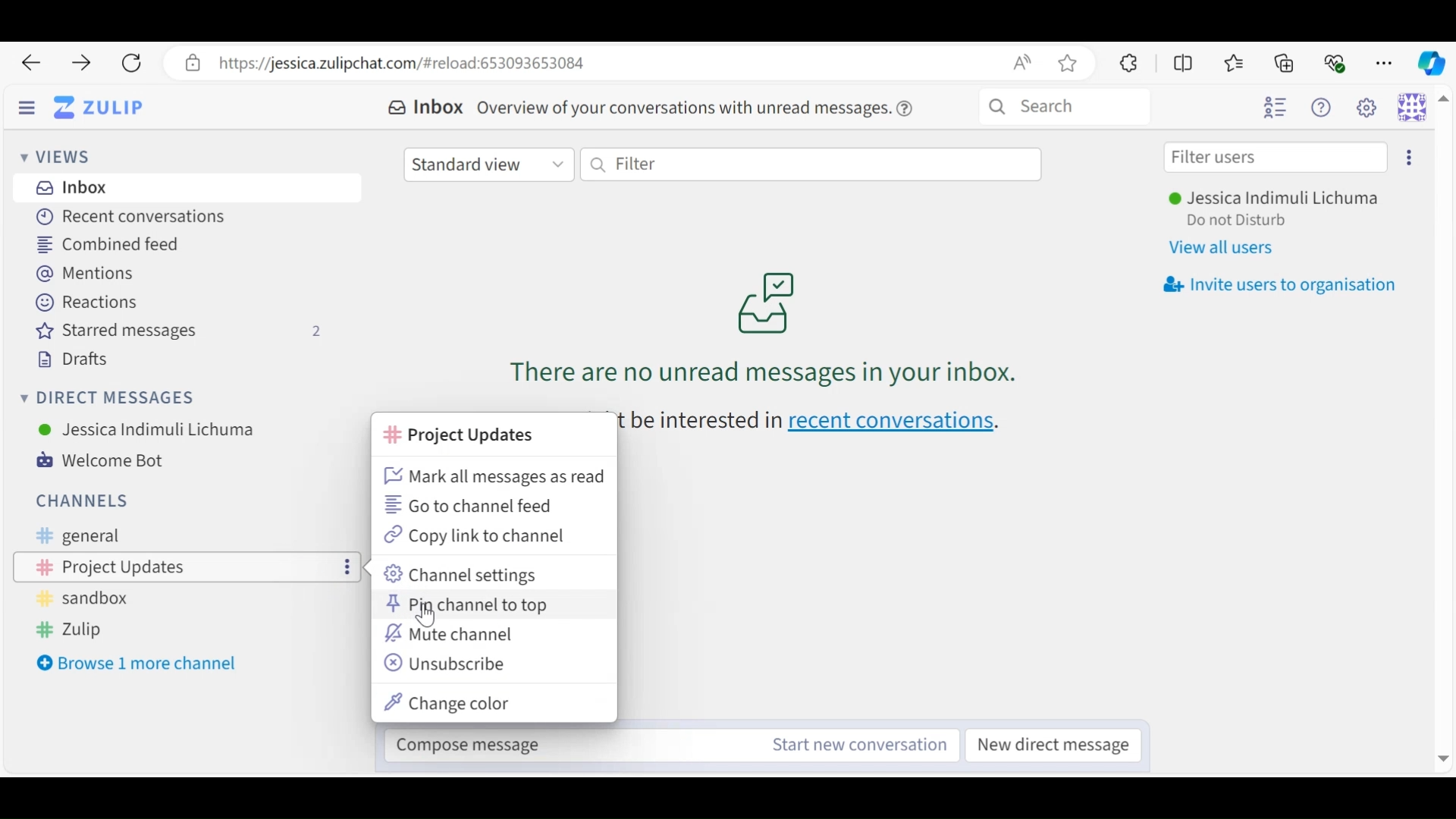 This screenshot has height=819, width=1456. Describe the element at coordinates (1325, 108) in the screenshot. I see `Help Menu` at that location.